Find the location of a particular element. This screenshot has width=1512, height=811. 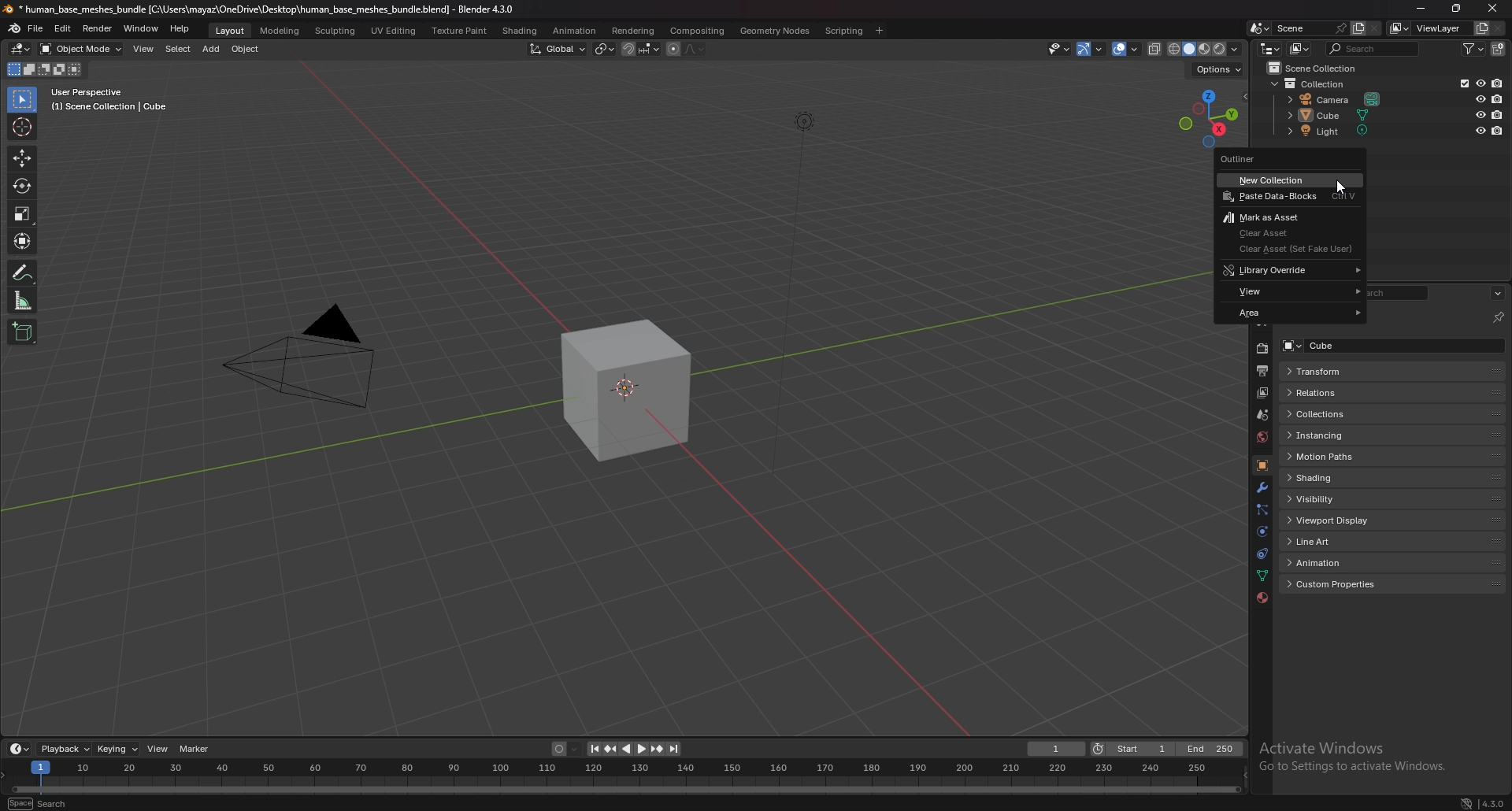

network is located at coordinates (1466, 801).